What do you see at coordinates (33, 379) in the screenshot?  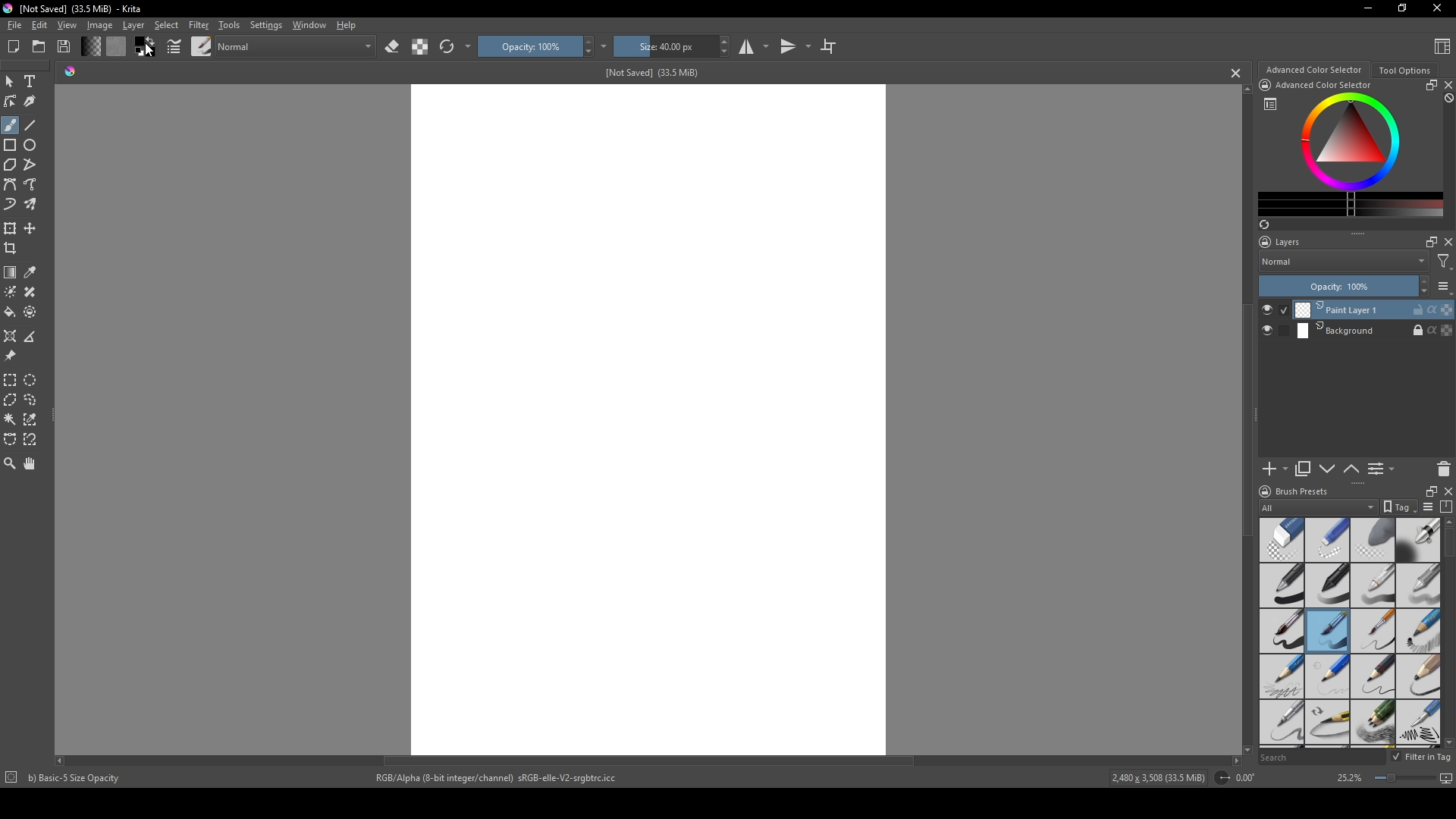 I see `elliptical` at bounding box center [33, 379].